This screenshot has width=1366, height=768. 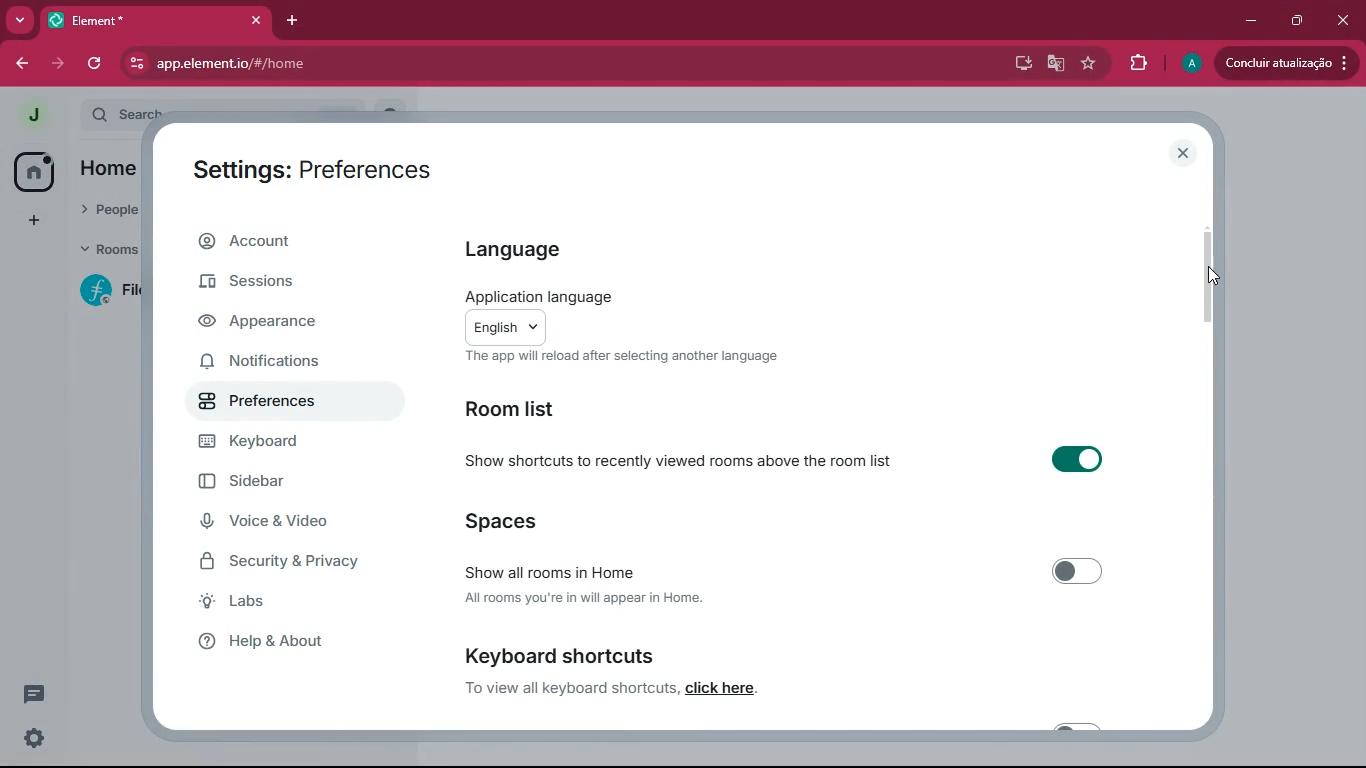 I want to click on spaces, so click(x=525, y=523).